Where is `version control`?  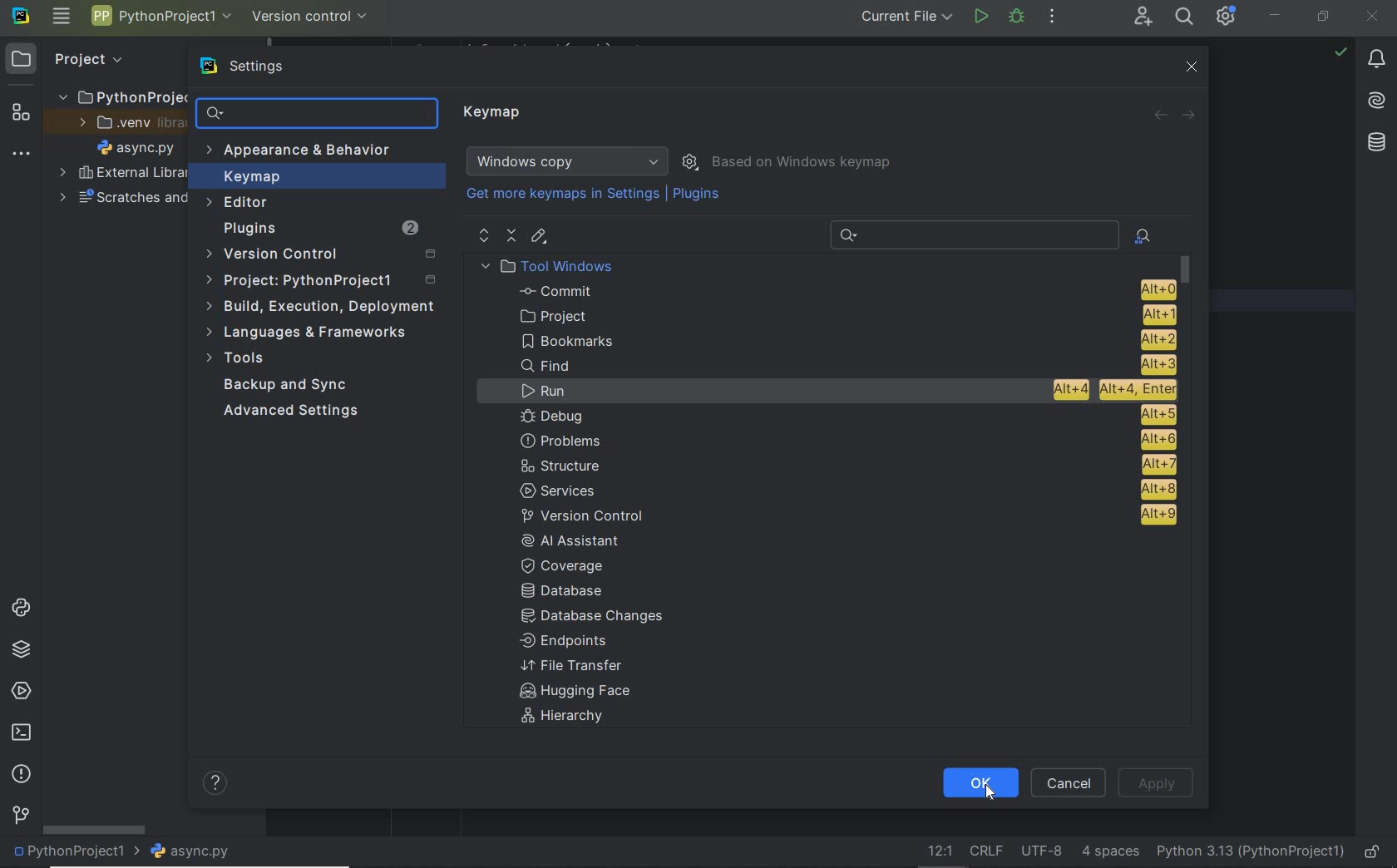
version control is located at coordinates (311, 15).